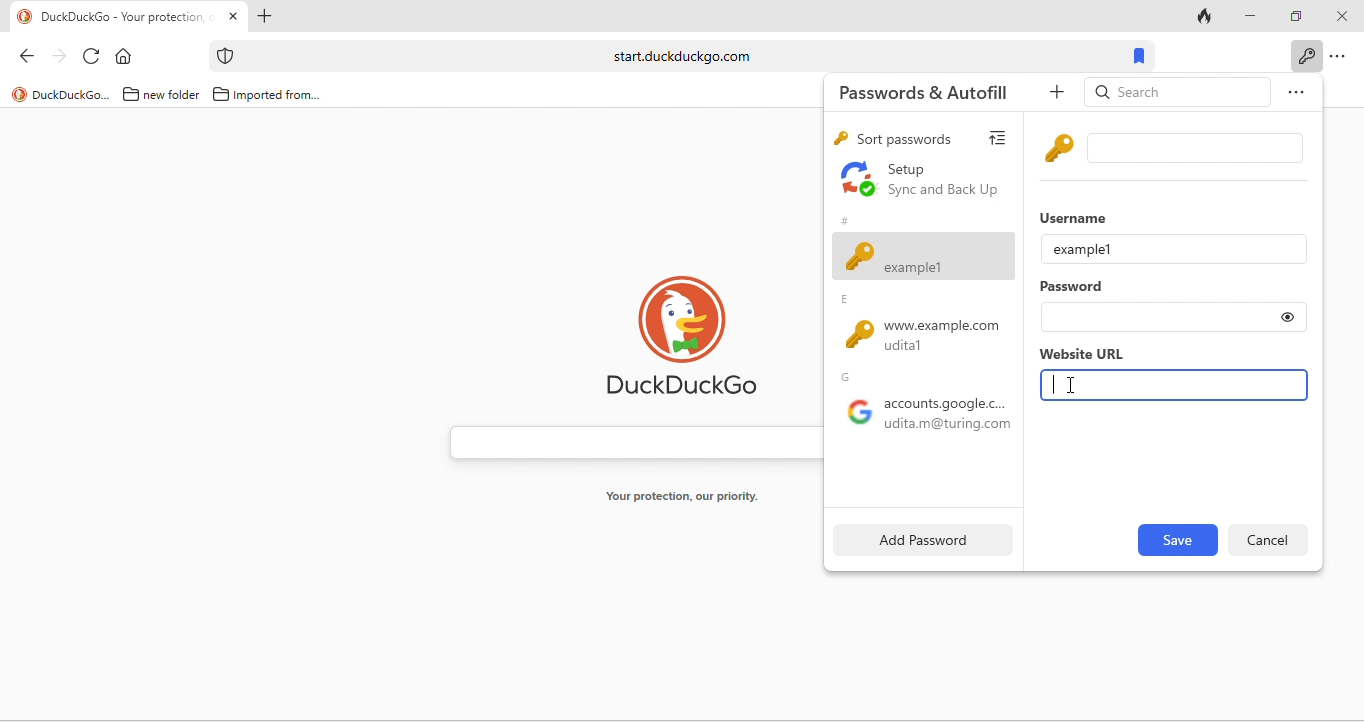 The height and width of the screenshot is (722, 1364). What do you see at coordinates (1060, 93) in the screenshot?
I see `add` at bounding box center [1060, 93].